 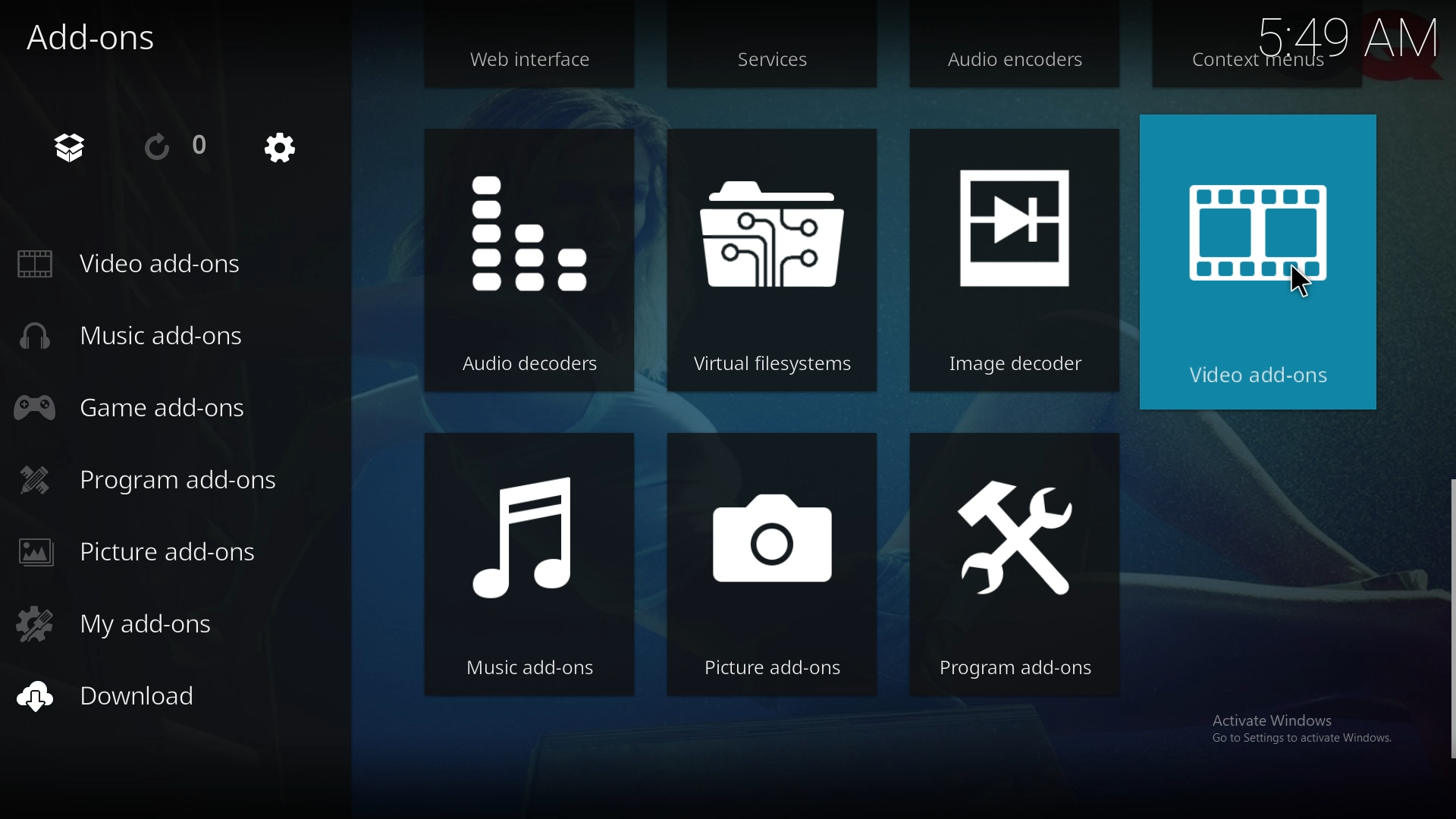 What do you see at coordinates (162, 477) in the screenshot?
I see `program add ons` at bounding box center [162, 477].